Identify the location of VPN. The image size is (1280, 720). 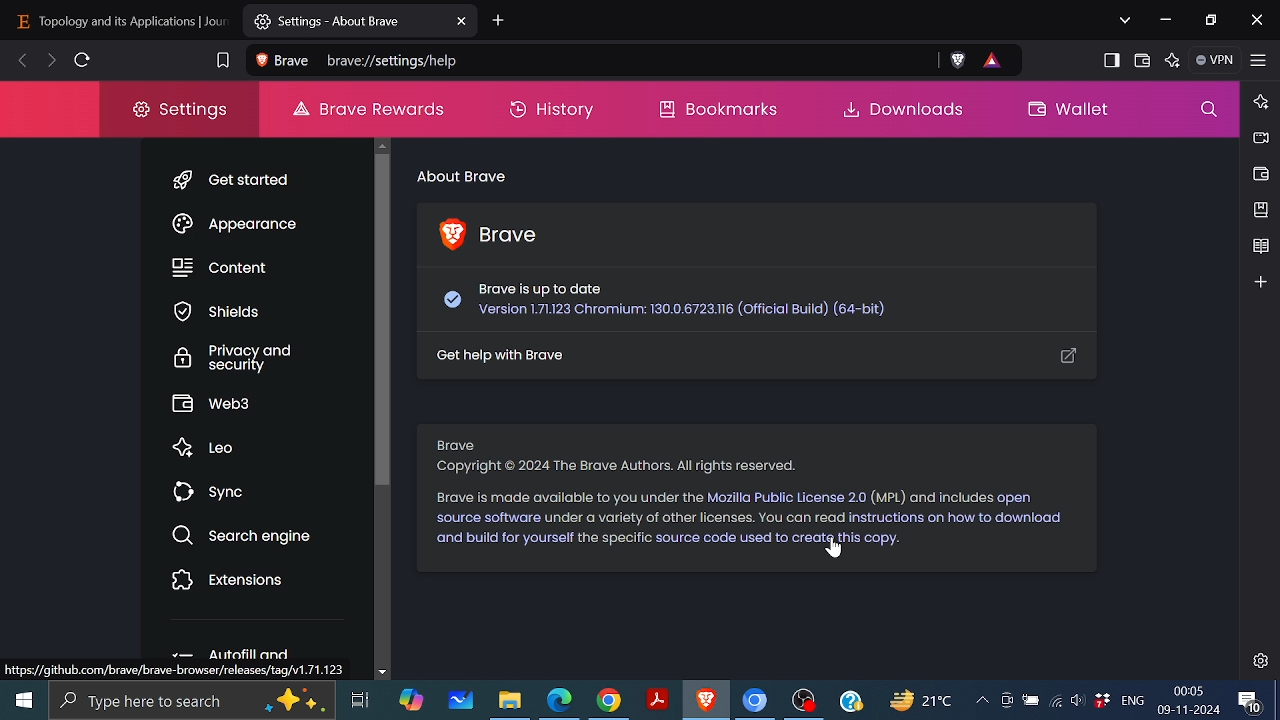
(1213, 59).